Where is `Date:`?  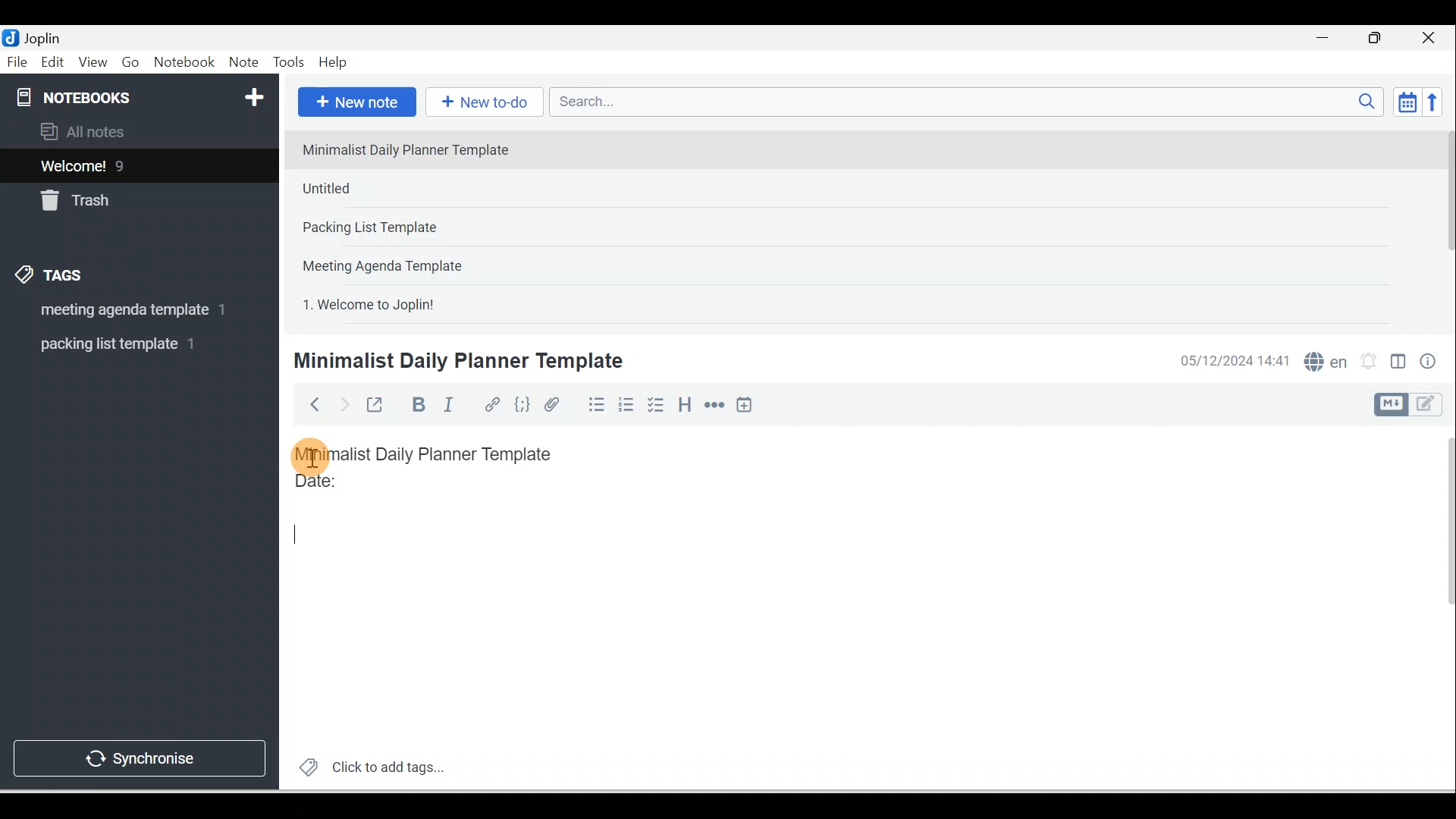 Date: is located at coordinates (359, 488).